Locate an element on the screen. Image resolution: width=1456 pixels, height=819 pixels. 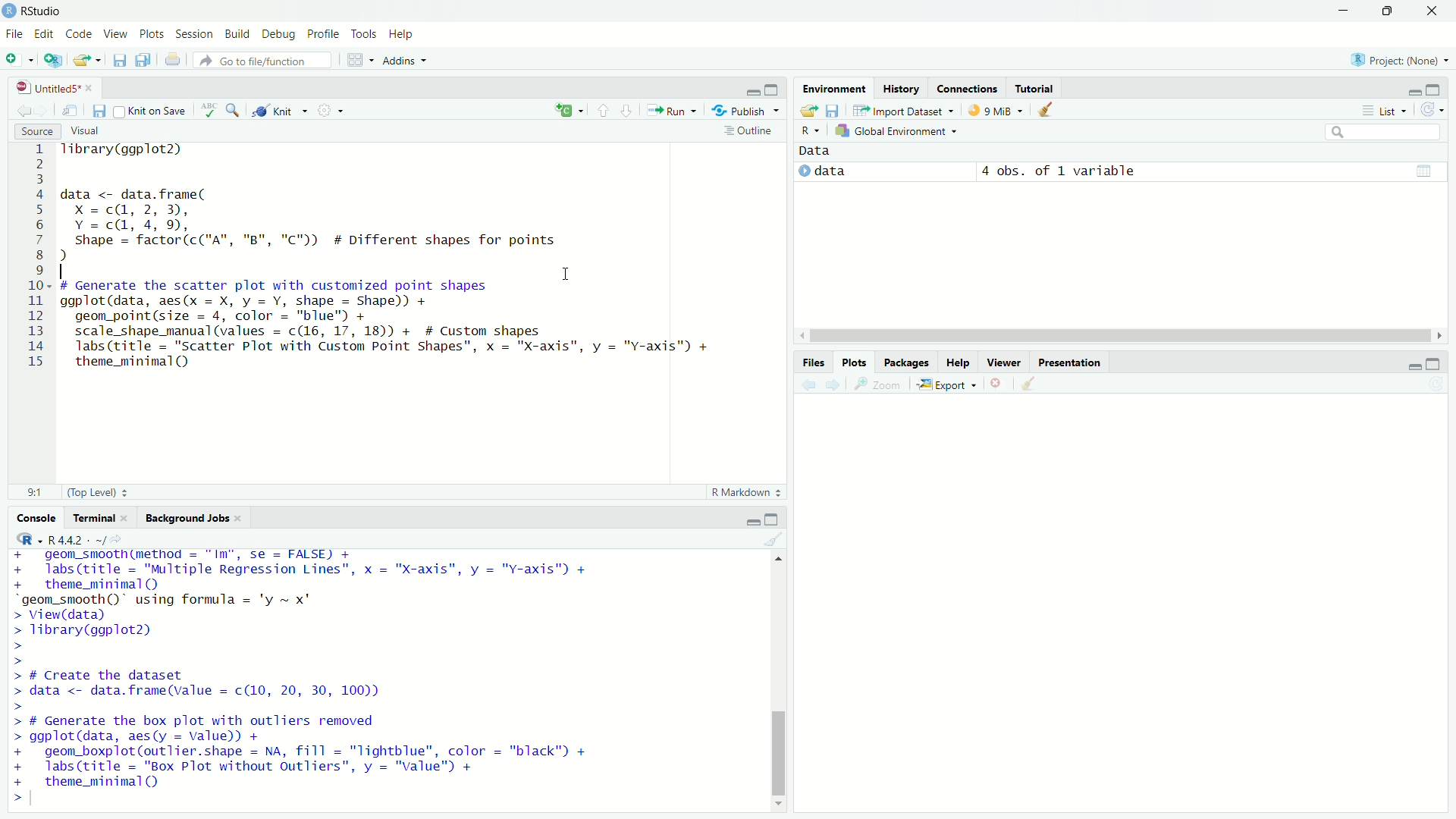
More options is located at coordinates (330, 110).